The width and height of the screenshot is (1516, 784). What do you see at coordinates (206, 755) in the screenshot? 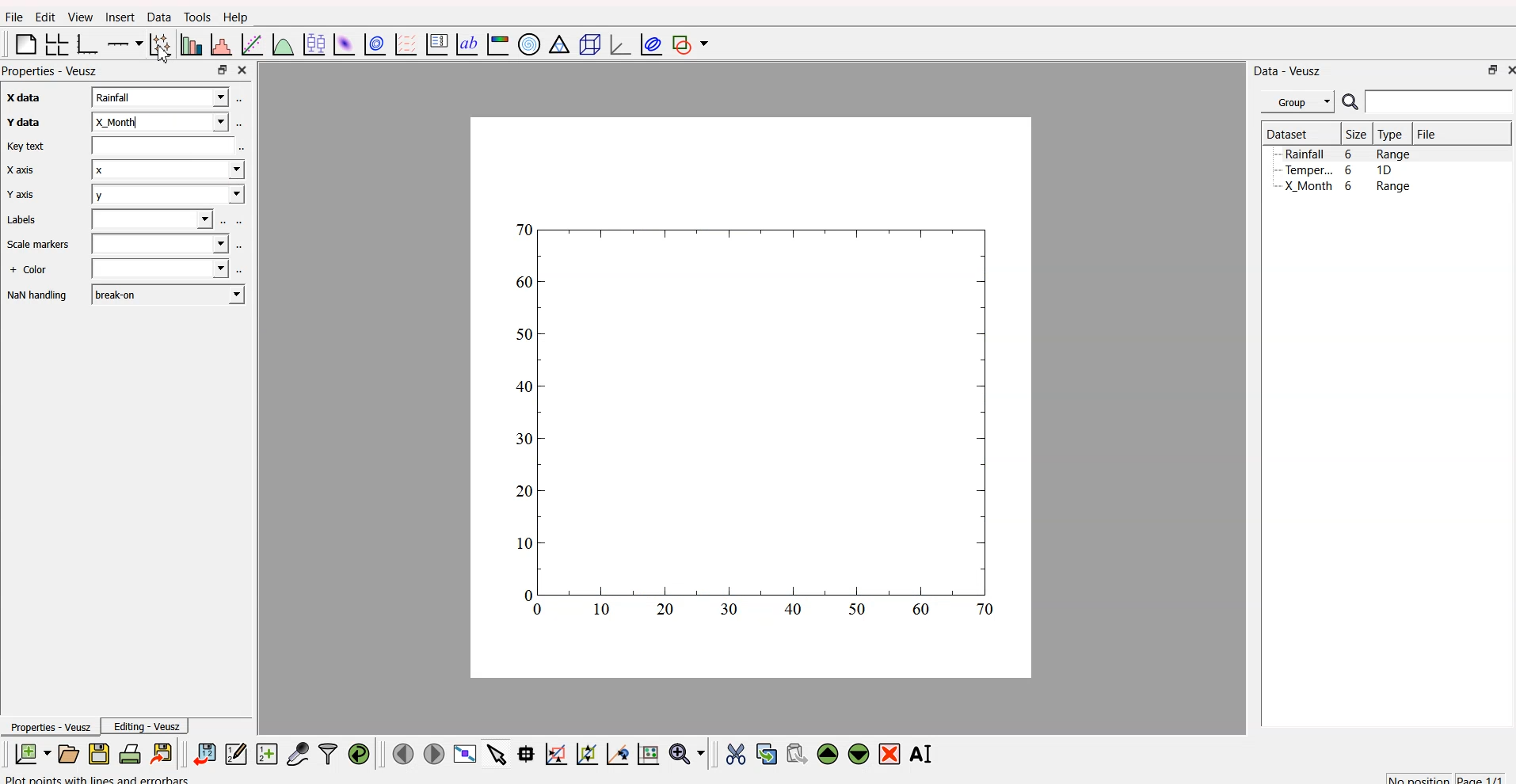
I see `import data` at bounding box center [206, 755].